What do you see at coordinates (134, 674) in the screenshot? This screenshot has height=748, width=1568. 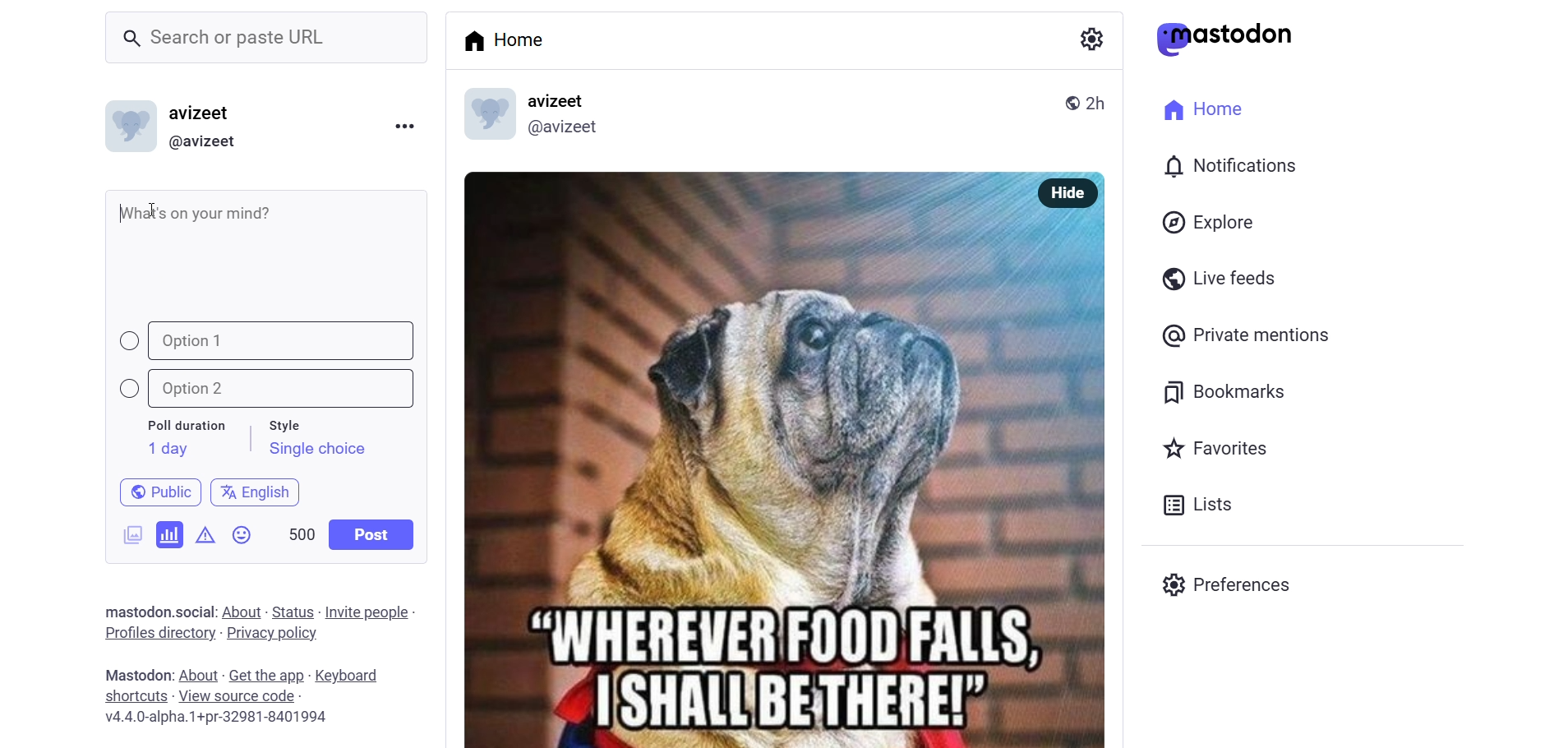 I see `mastodon` at bounding box center [134, 674].